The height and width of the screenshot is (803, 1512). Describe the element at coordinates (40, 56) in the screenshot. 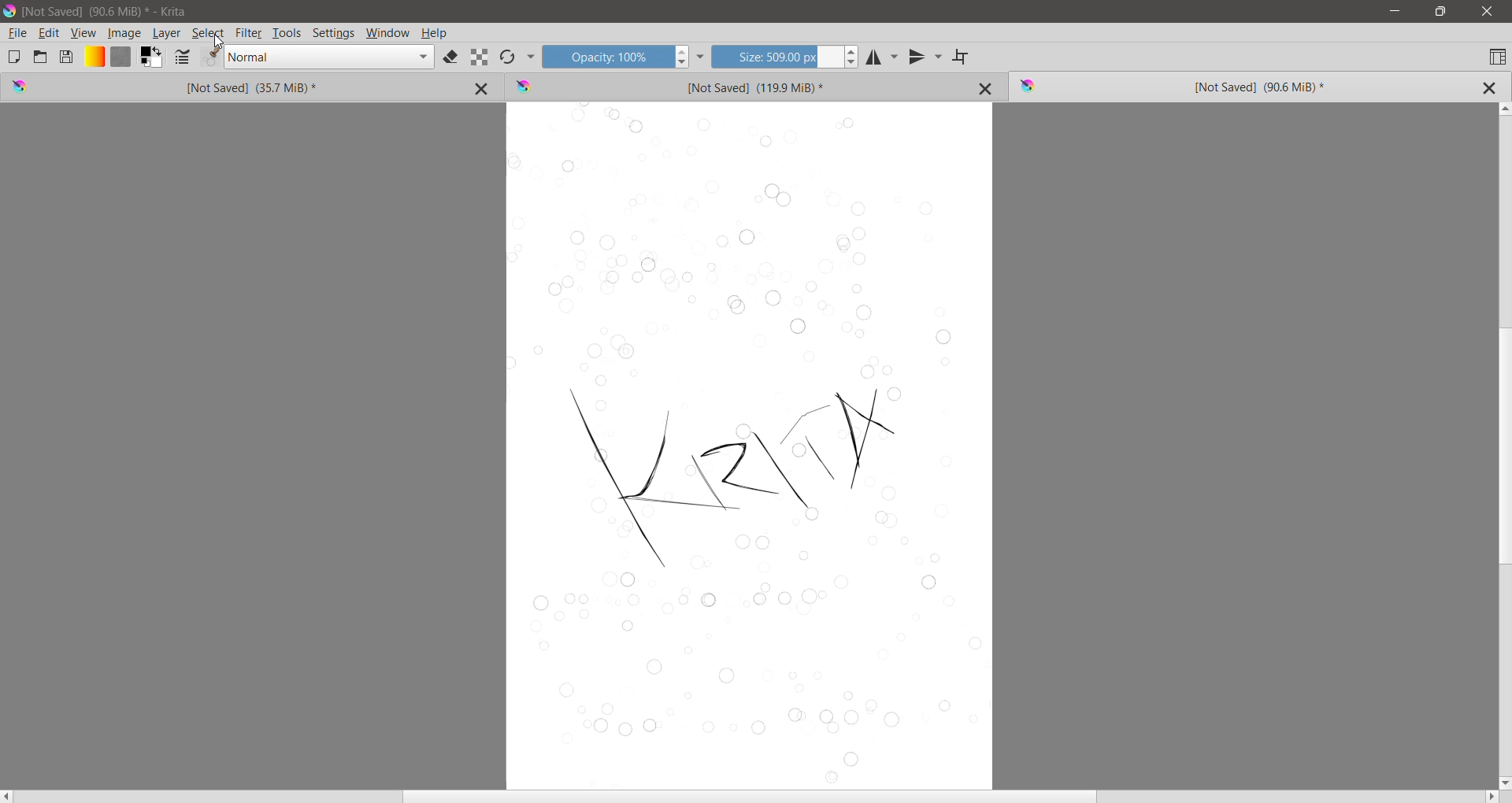

I see `Open an Existing Document` at that location.